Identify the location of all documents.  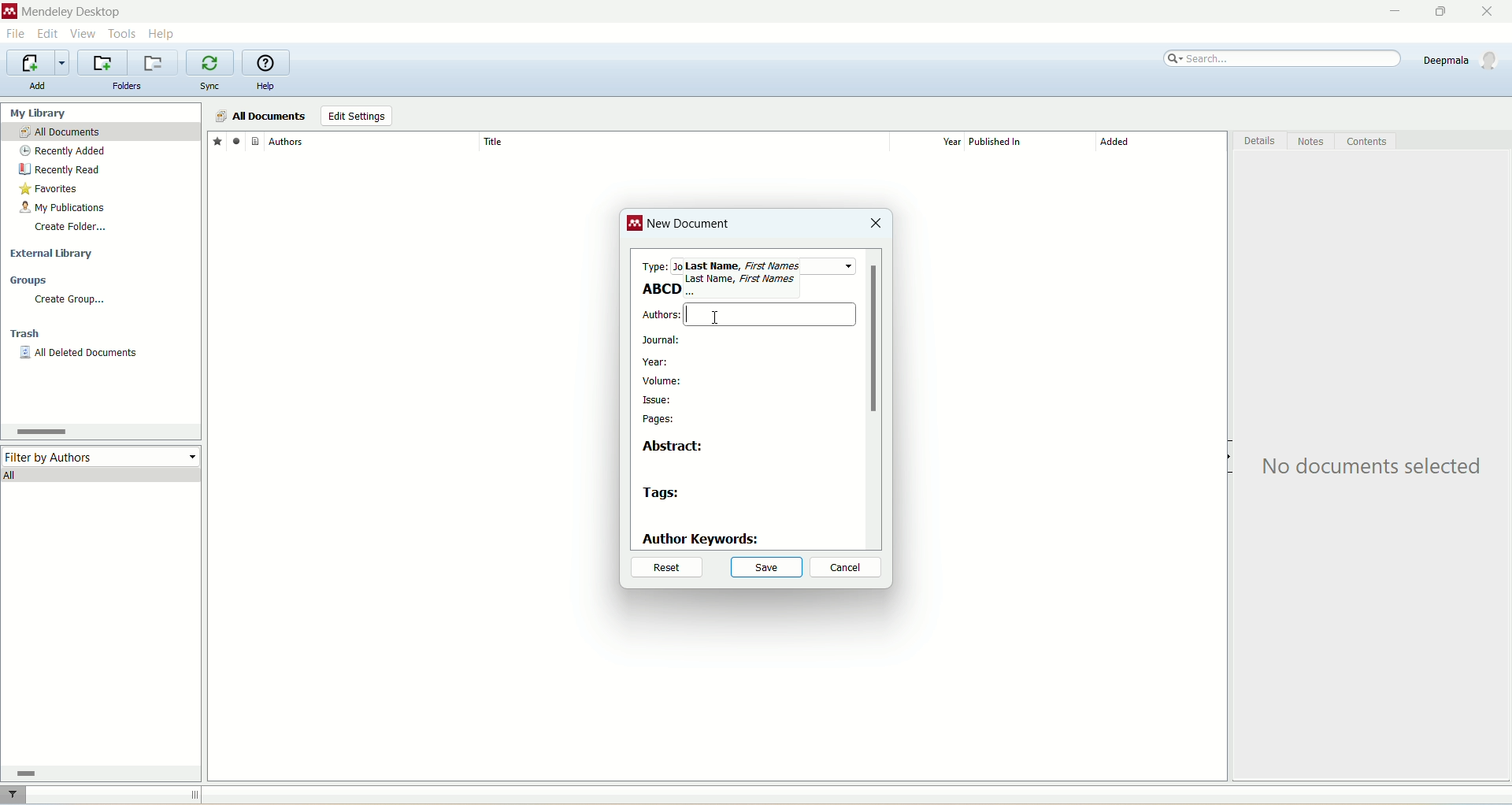
(101, 132).